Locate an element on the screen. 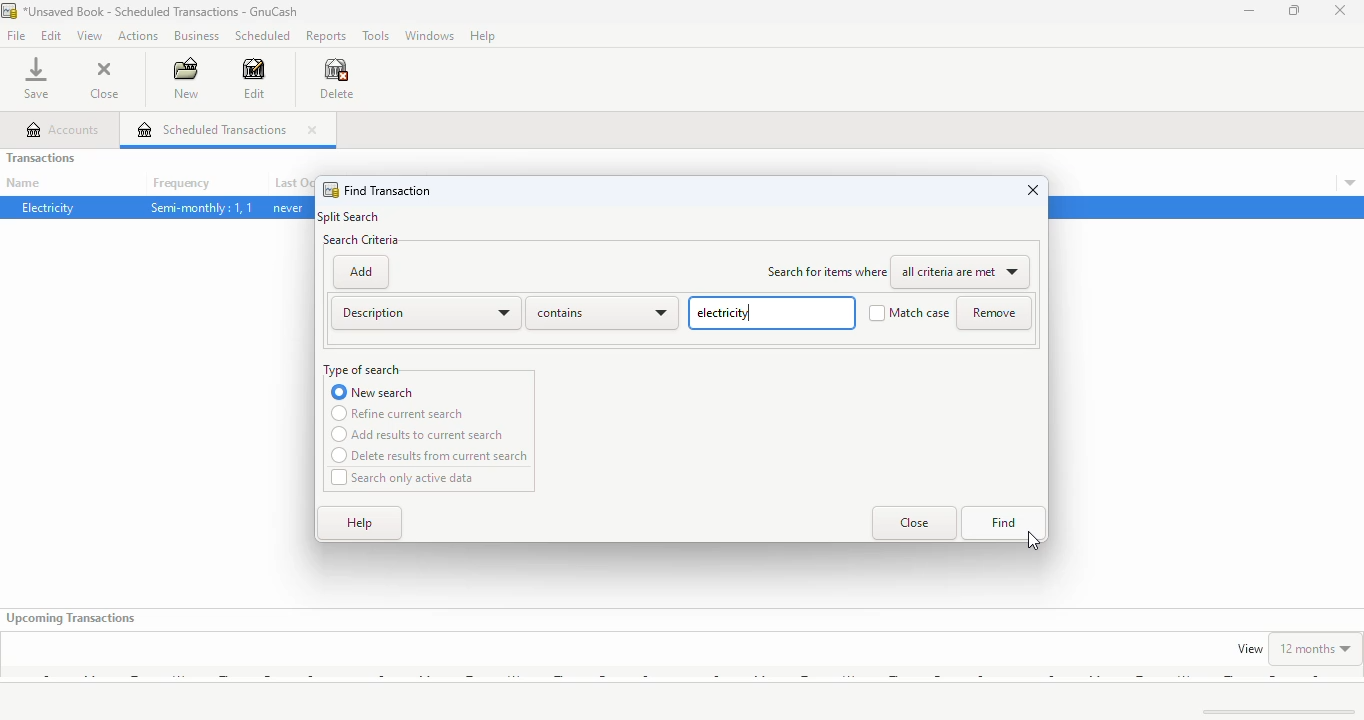 Image resolution: width=1364 pixels, height=720 pixels. searched item "electricity" is located at coordinates (771, 313).